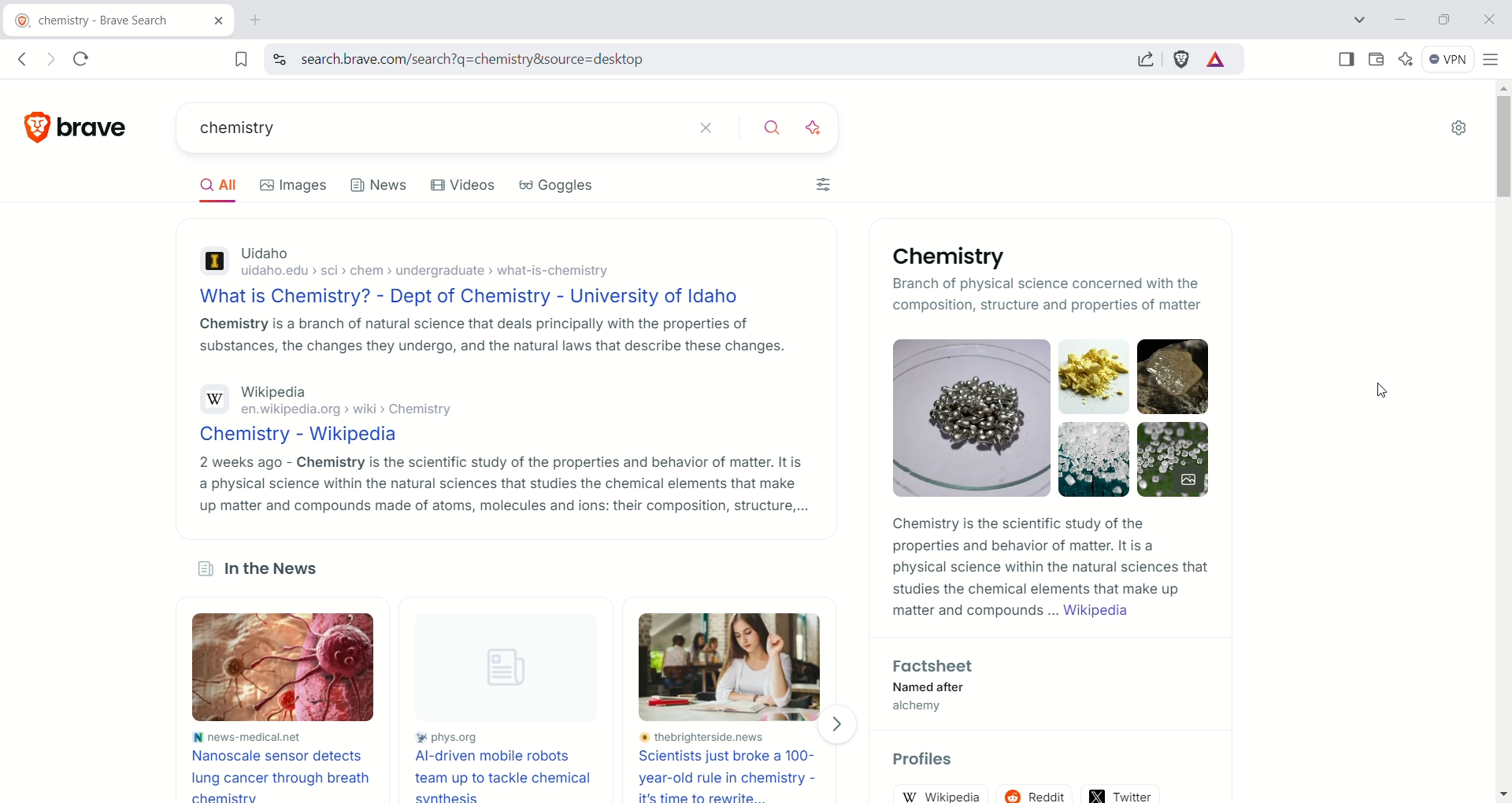 Image resolution: width=1512 pixels, height=803 pixels. What do you see at coordinates (1499, 439) in the screenshot?
I see `vertical scroll bar` at bounding box center [1499, 439].